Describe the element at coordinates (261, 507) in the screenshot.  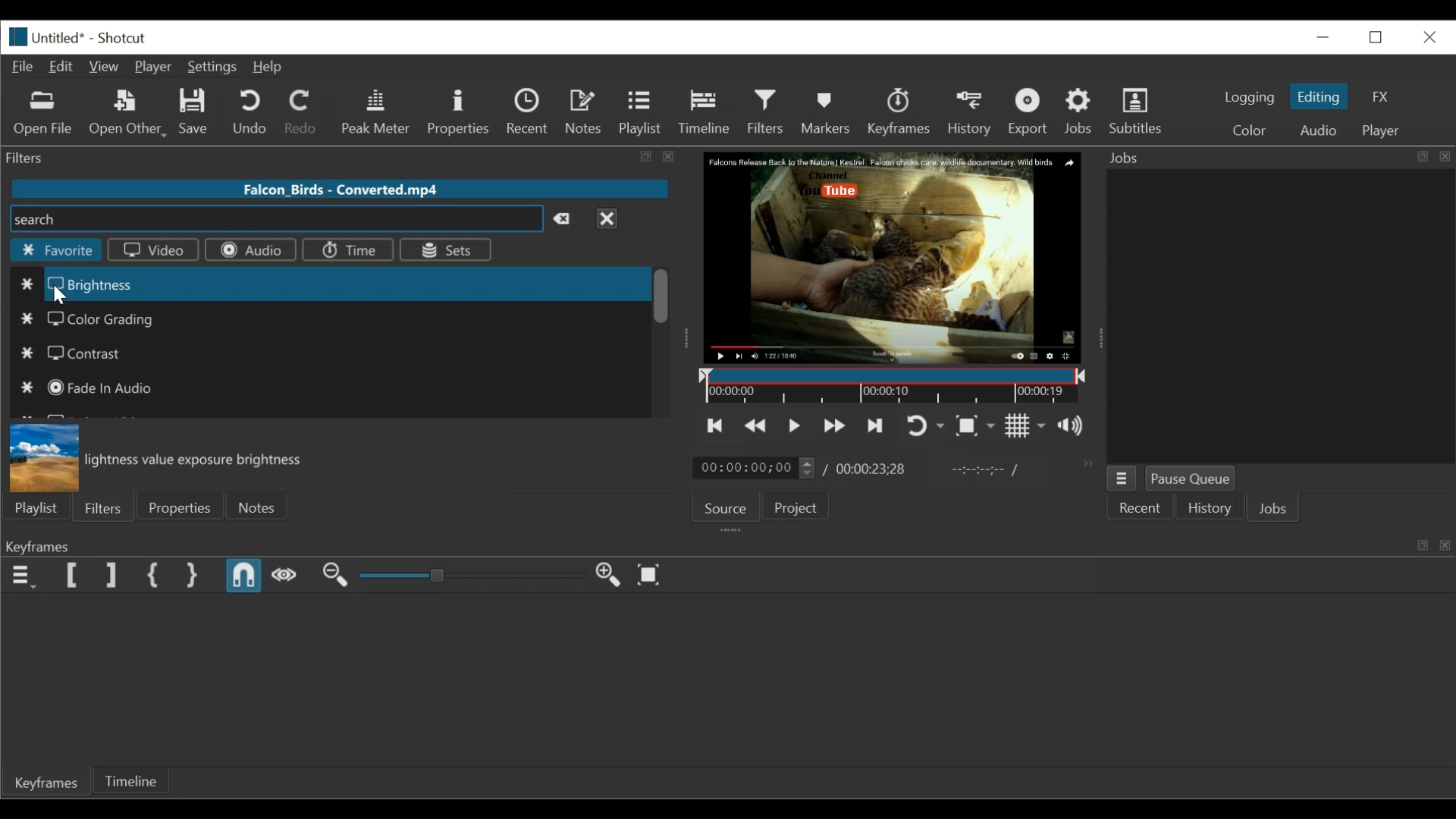
I see `Notes` at that location.